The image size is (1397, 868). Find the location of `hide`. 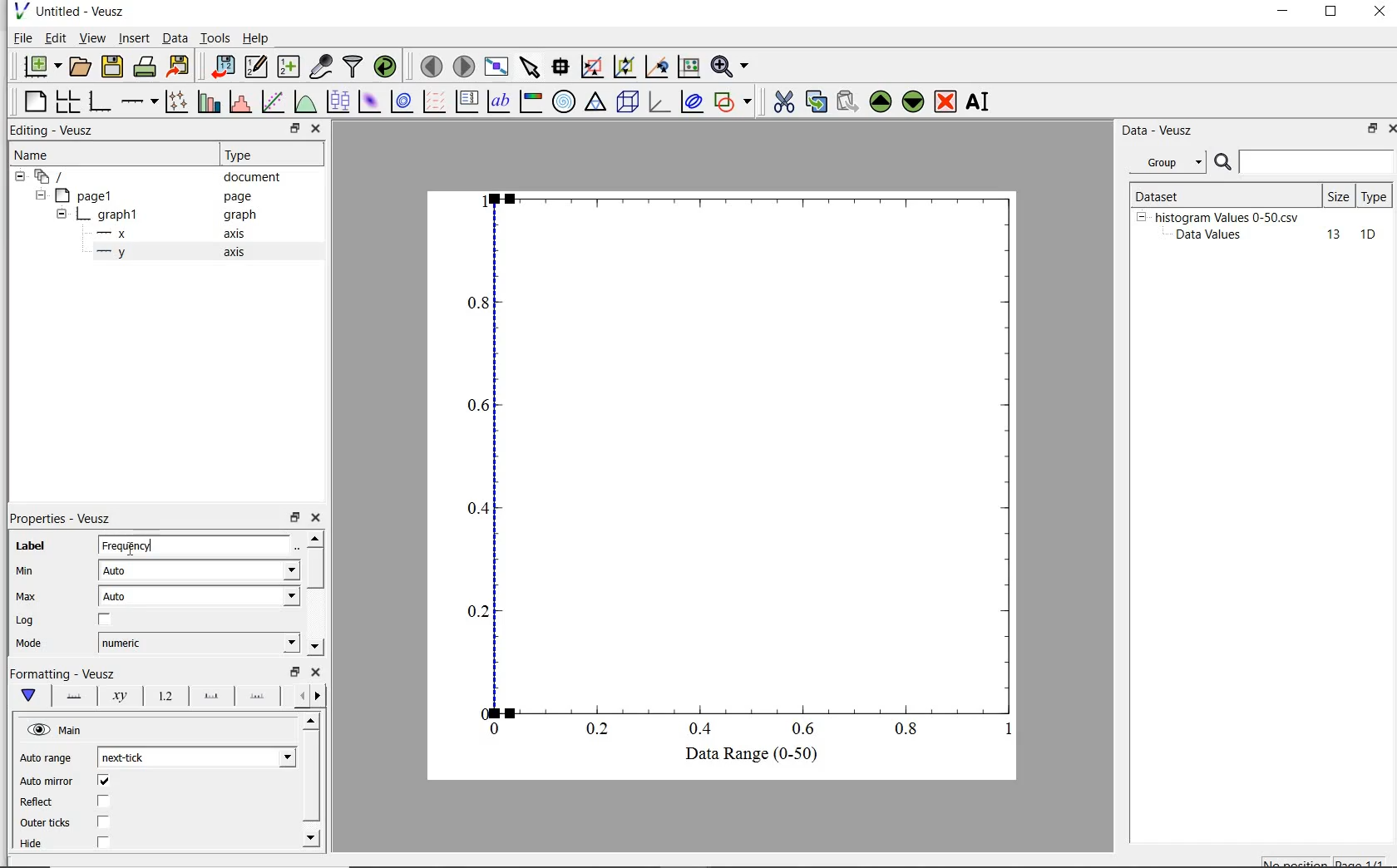

hide is located at coordinates (57, 730).